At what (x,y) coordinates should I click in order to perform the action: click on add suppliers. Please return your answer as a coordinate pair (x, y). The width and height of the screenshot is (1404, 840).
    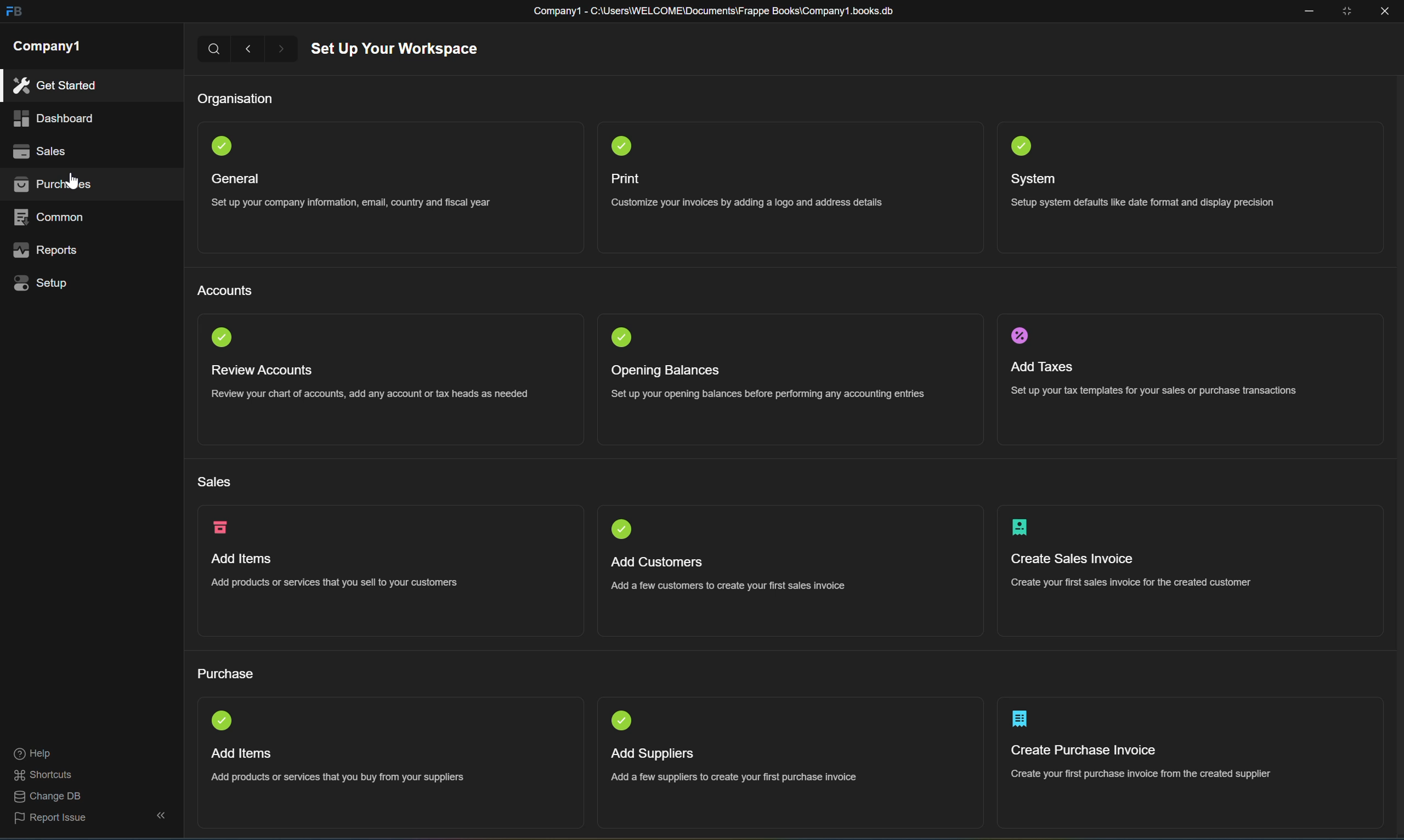
    Looking at the image, I should click on (649, 753).